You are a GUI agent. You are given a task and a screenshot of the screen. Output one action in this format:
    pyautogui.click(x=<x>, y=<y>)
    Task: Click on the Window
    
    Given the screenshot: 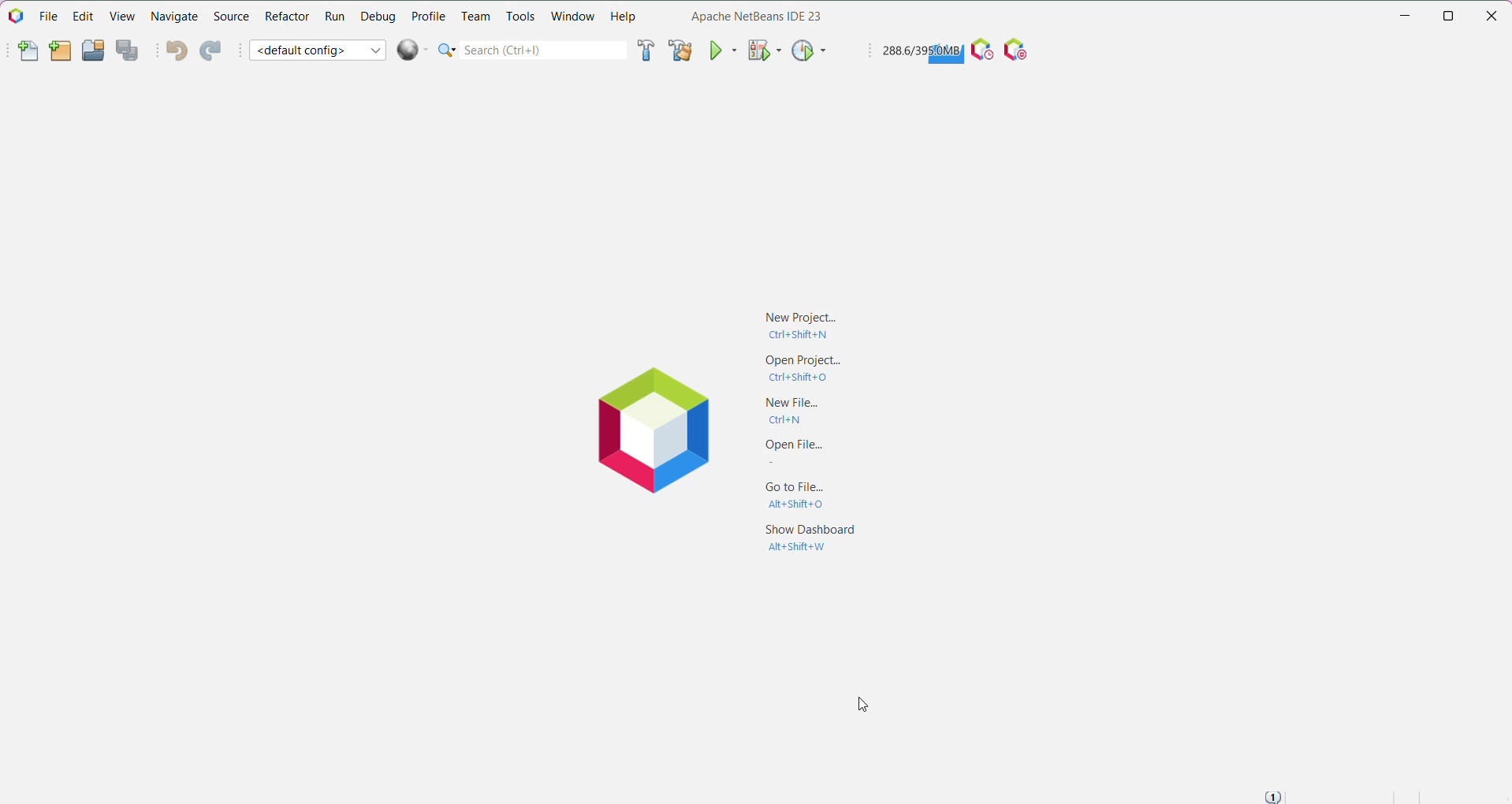 What is the action you would take?
    pyautogui.click(x=573, y=18)
    